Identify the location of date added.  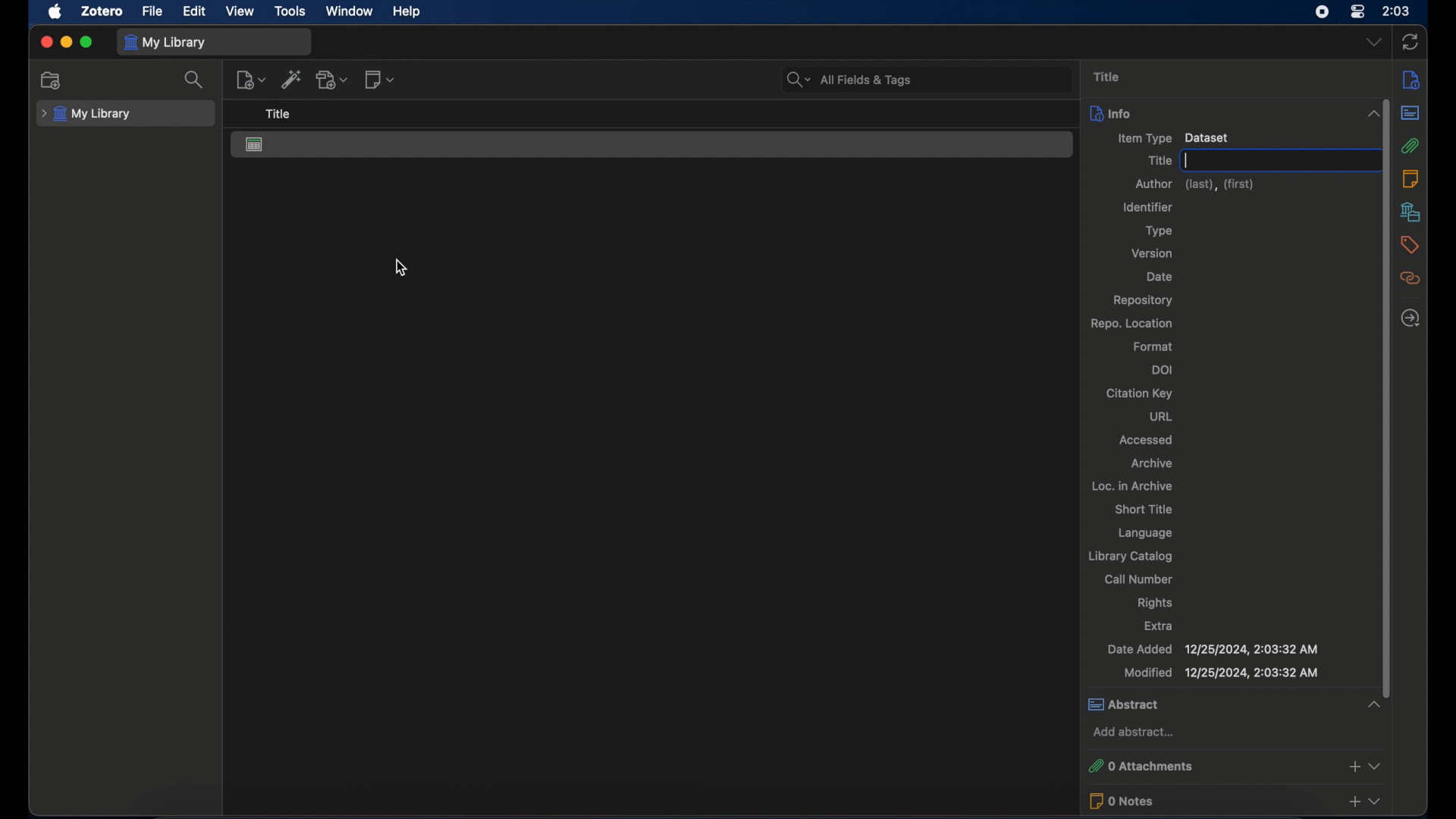
(1212, 648).